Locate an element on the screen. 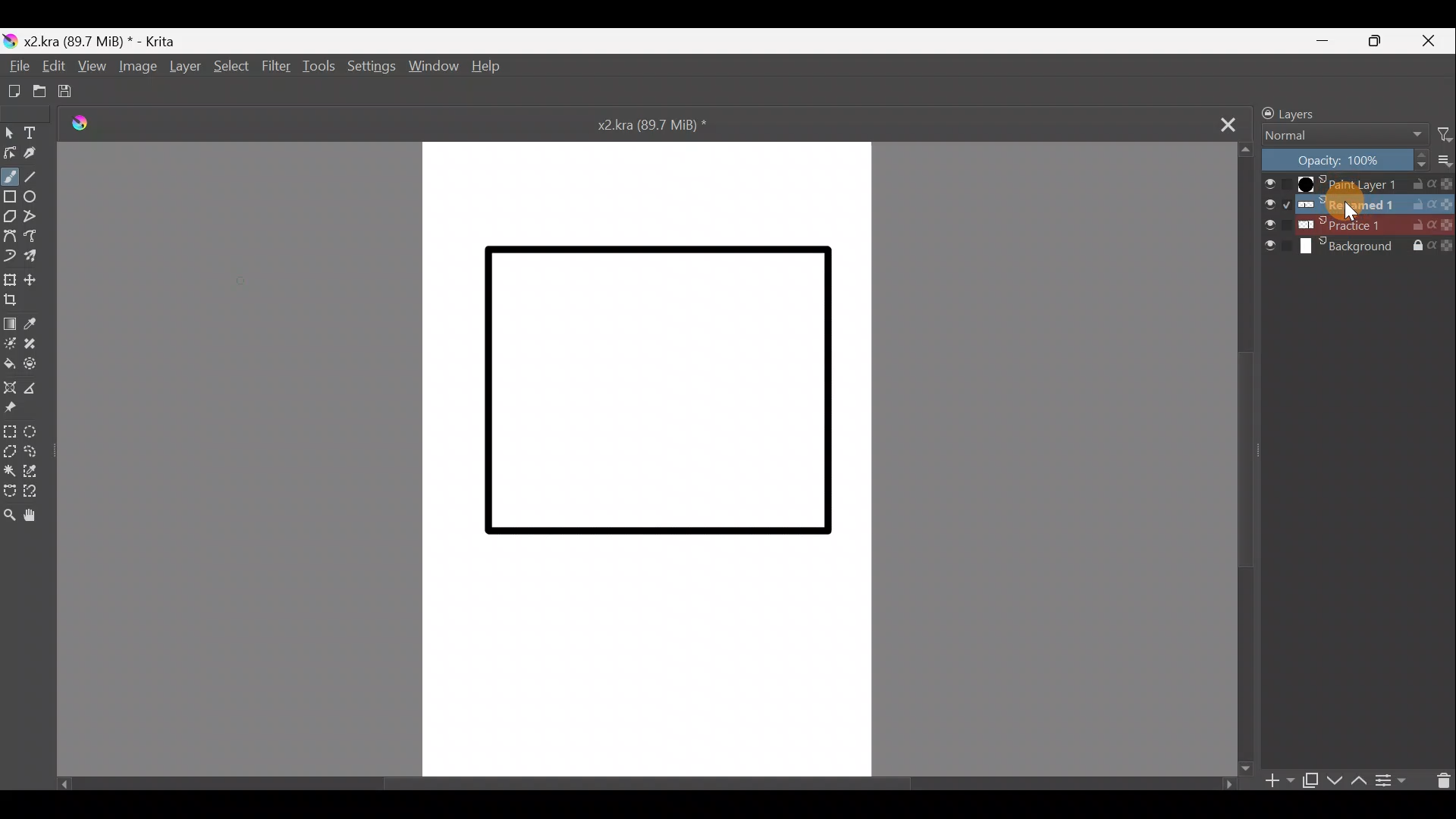  Cursor is located at coordinates (1348, 204).